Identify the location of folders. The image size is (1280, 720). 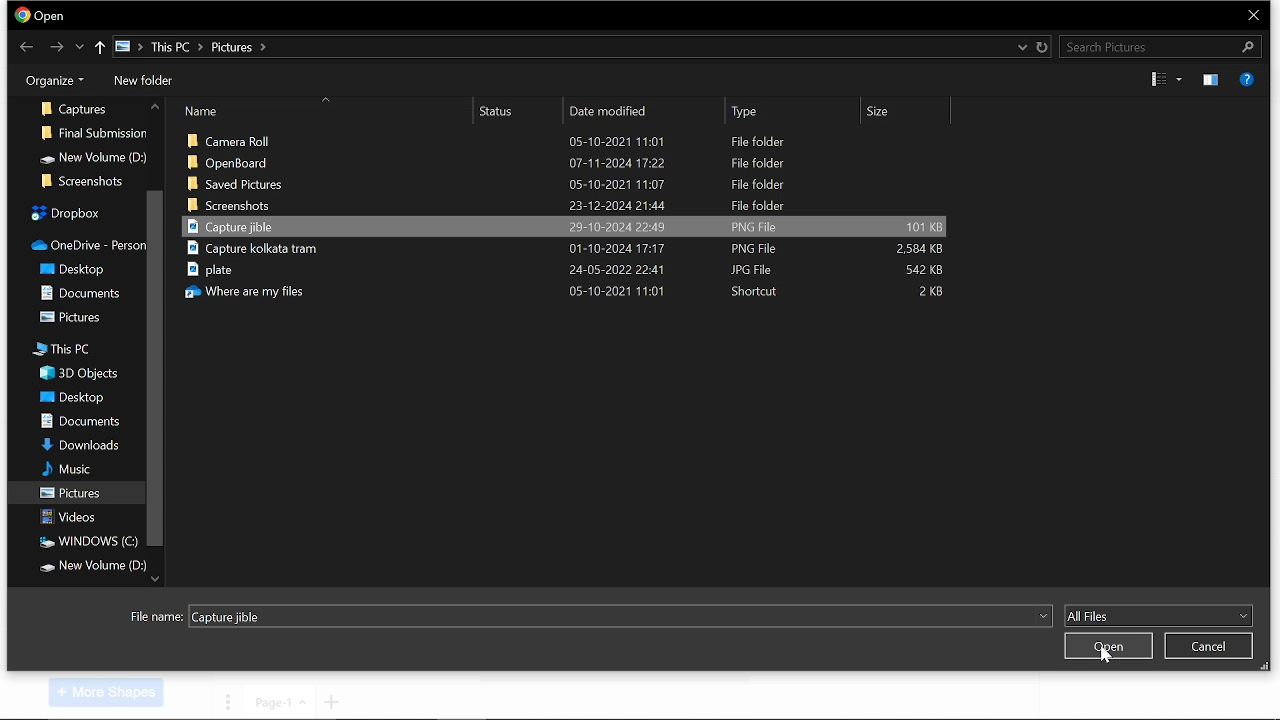
(72, 316).